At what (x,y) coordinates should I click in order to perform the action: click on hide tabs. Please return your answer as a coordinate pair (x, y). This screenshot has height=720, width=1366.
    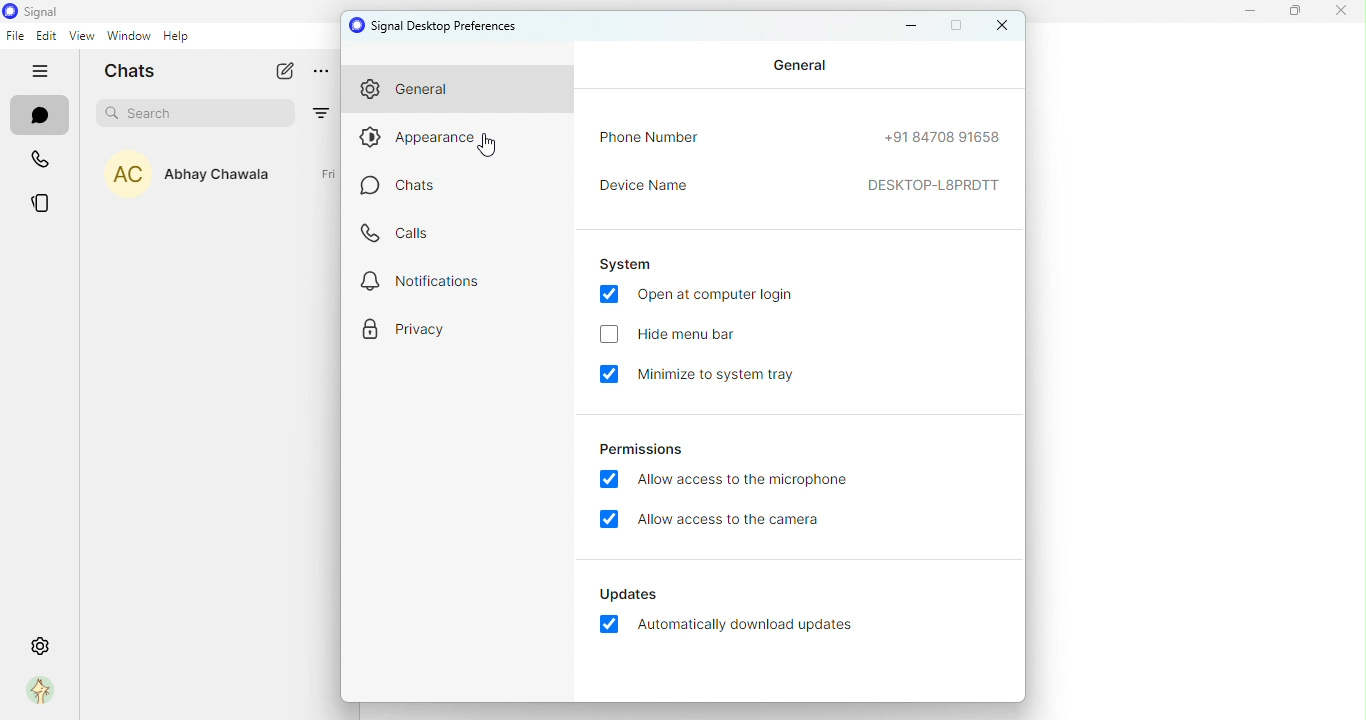
    Looking at the image, I should click on (38, 72).